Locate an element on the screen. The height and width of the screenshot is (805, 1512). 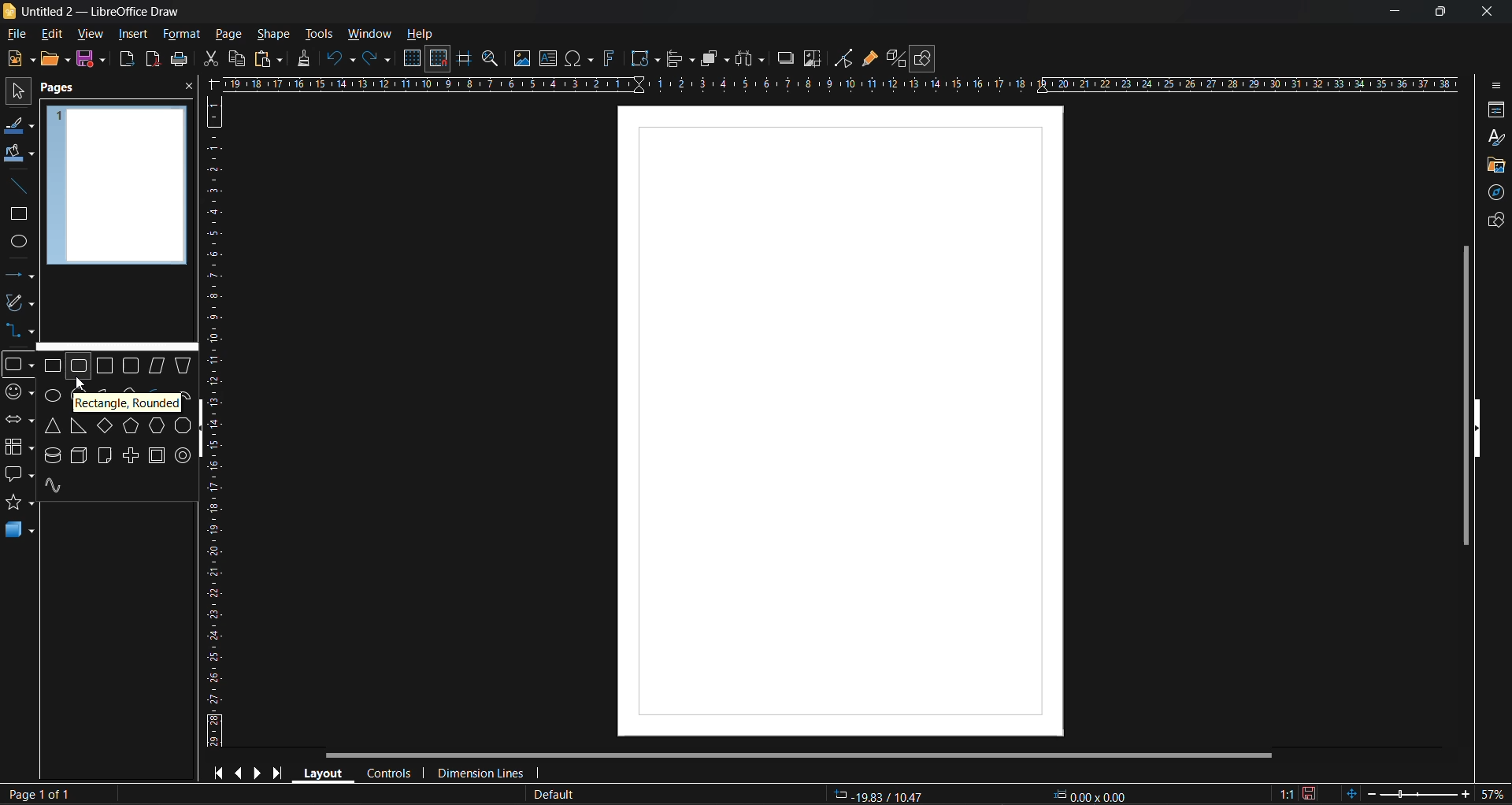
special characters is located at coordinates (580, 59).